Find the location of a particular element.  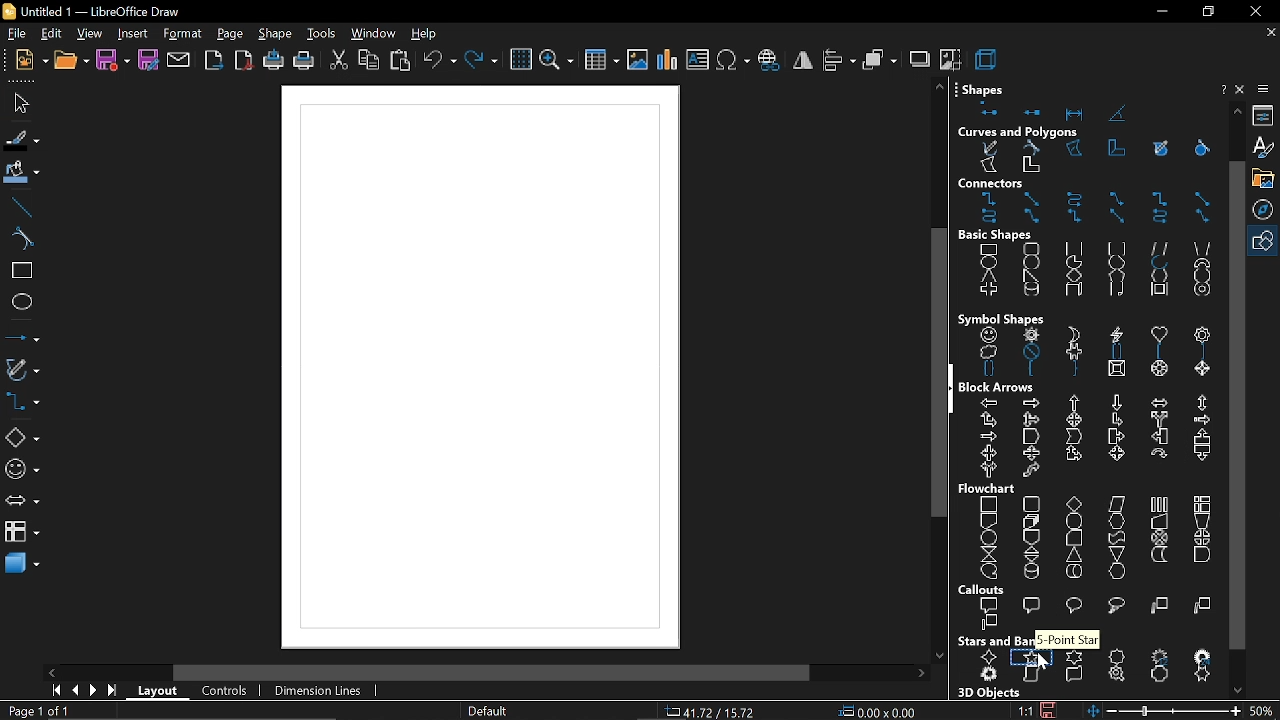

basic shapes is located at coordinates (1087, 273).